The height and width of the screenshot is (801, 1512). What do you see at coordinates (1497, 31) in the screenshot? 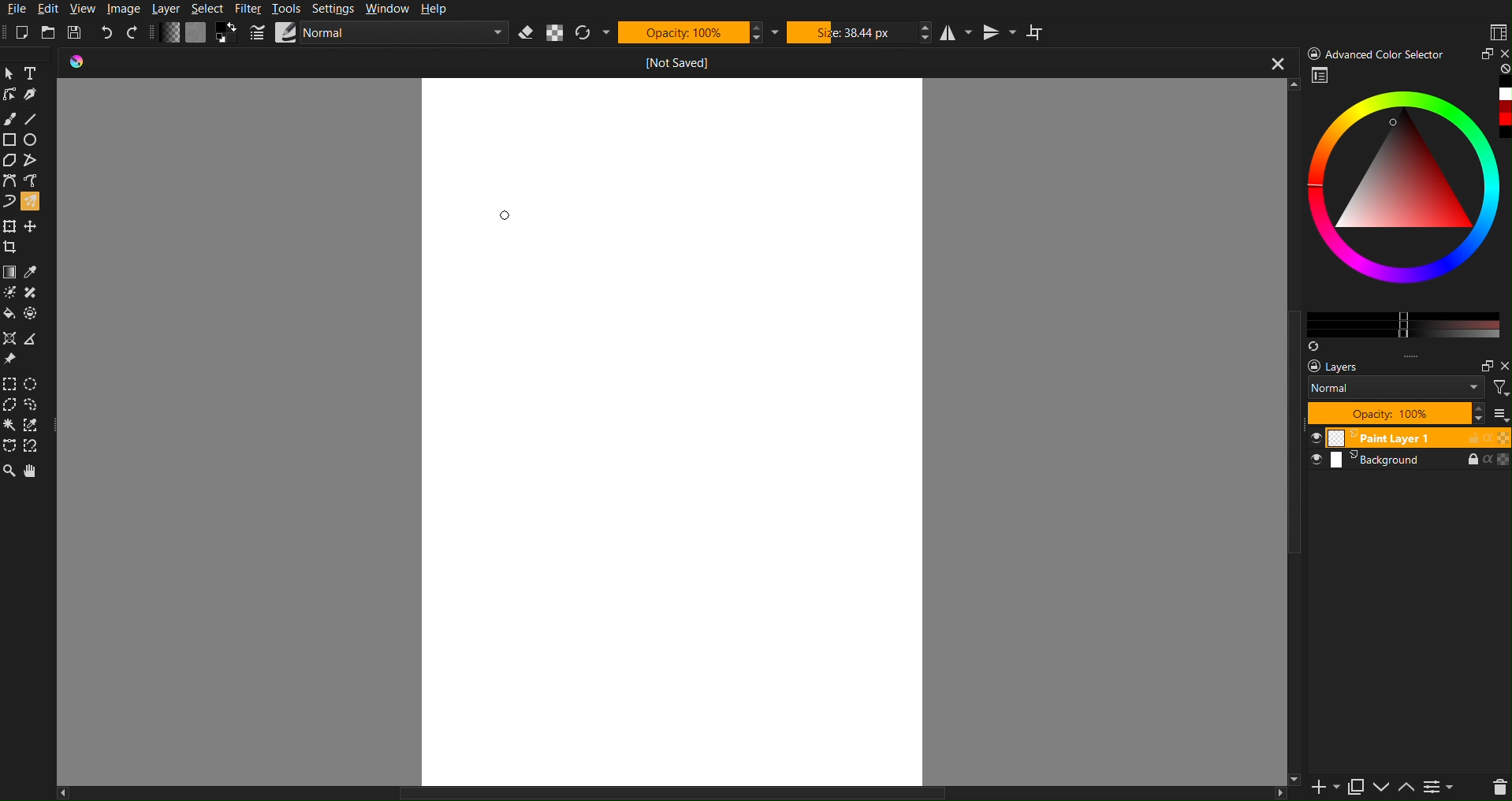
I see `Workspaces` at bounding box center [1497, 31].